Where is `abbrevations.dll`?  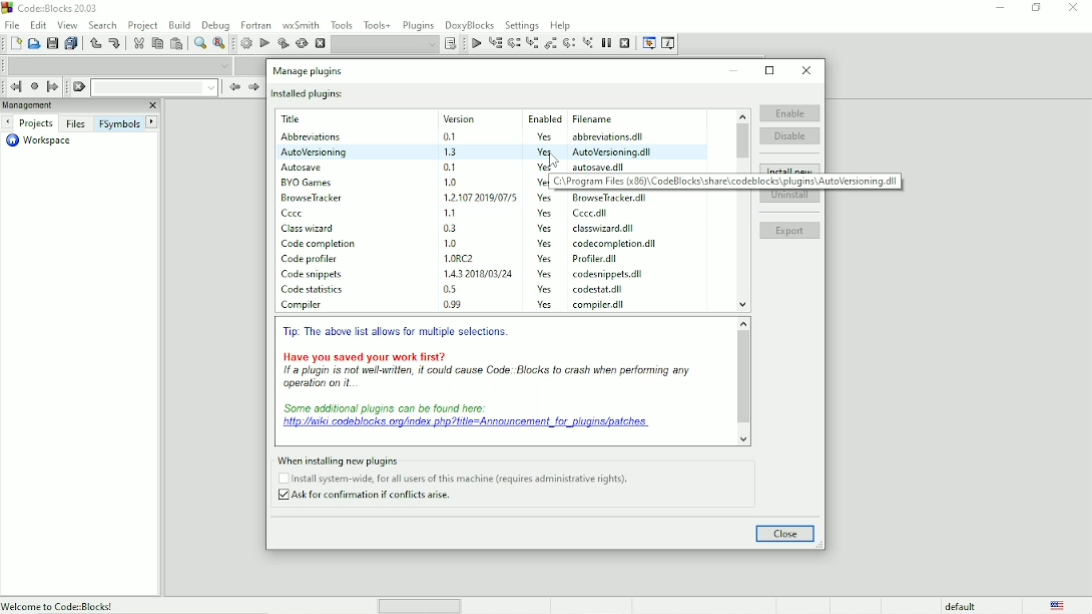 abbrevations.dll is located at coordinates (609, 137).